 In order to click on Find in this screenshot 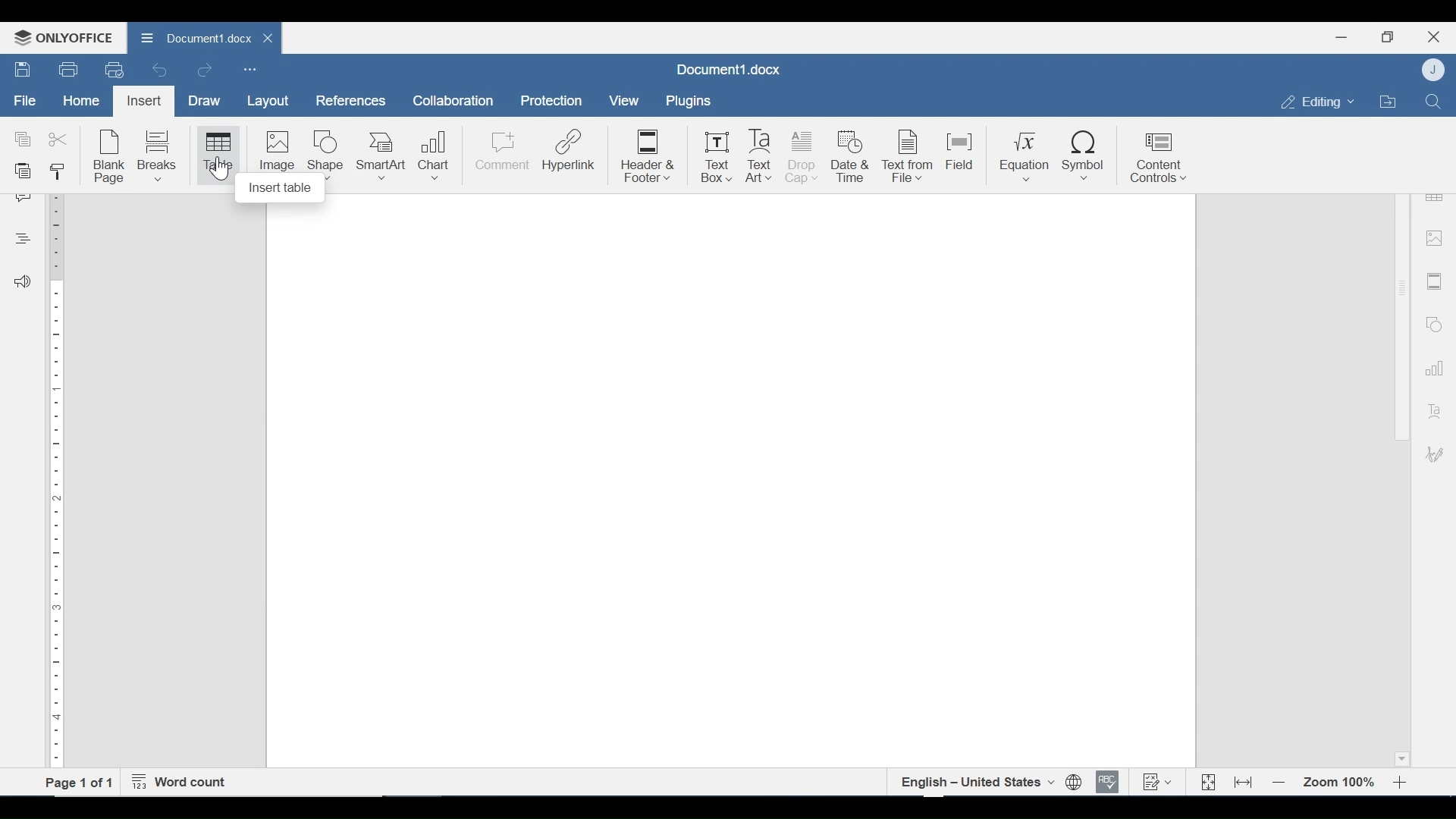, I will do `click(1432, 100)`.